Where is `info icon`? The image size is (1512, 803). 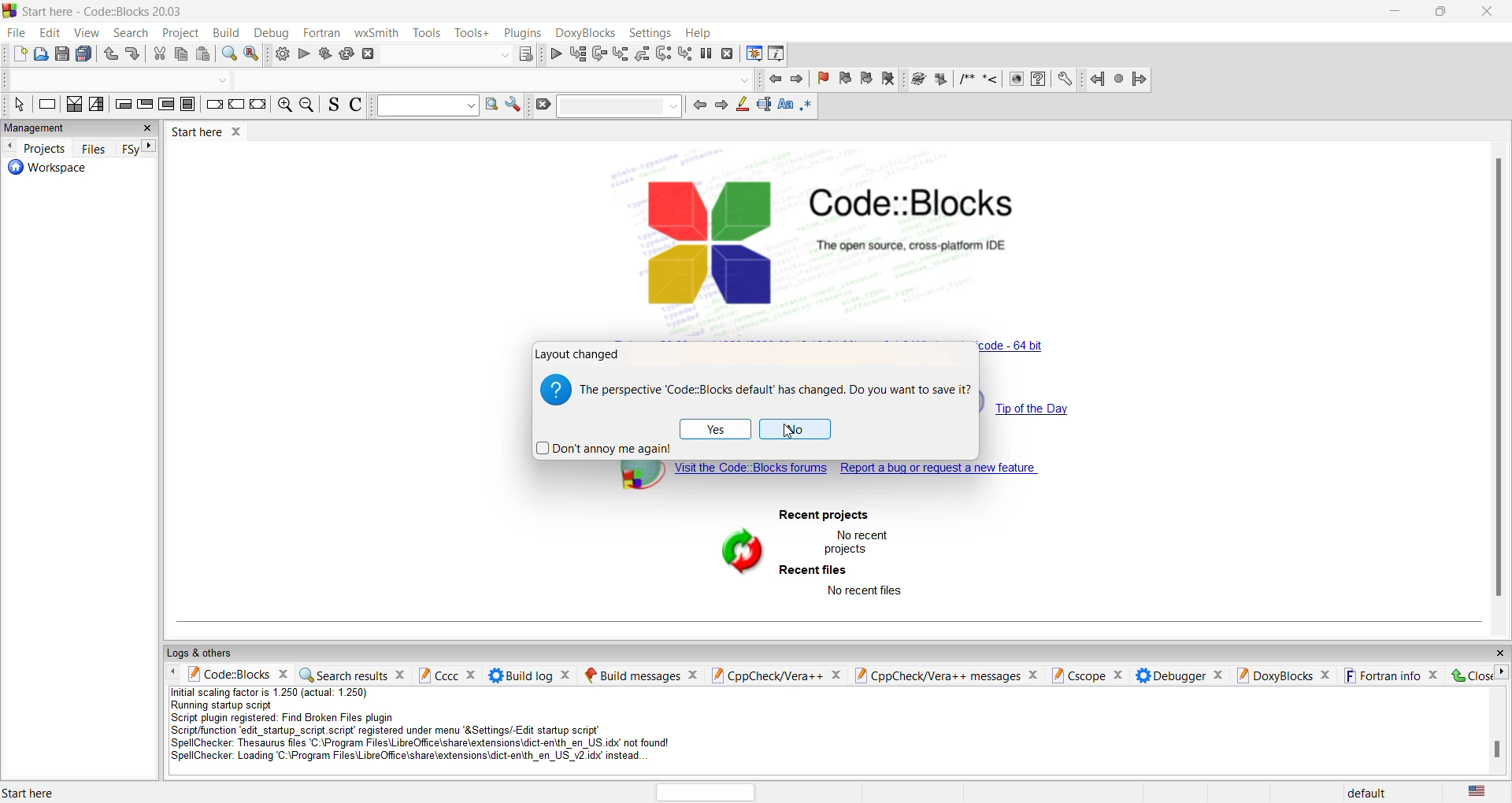
info icon is located at coordinates (1017, 80).